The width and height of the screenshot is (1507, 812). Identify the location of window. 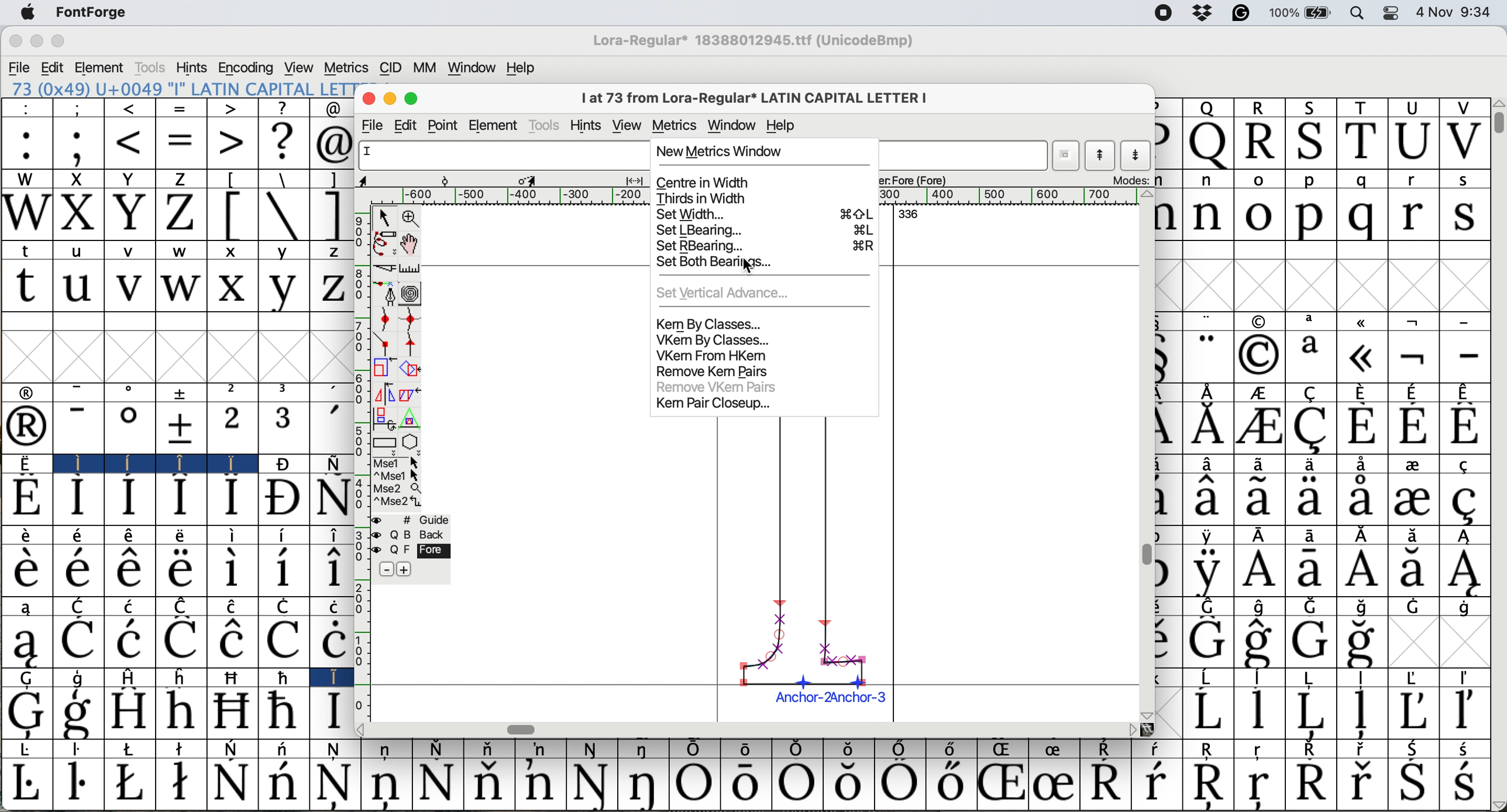
(733, 125).